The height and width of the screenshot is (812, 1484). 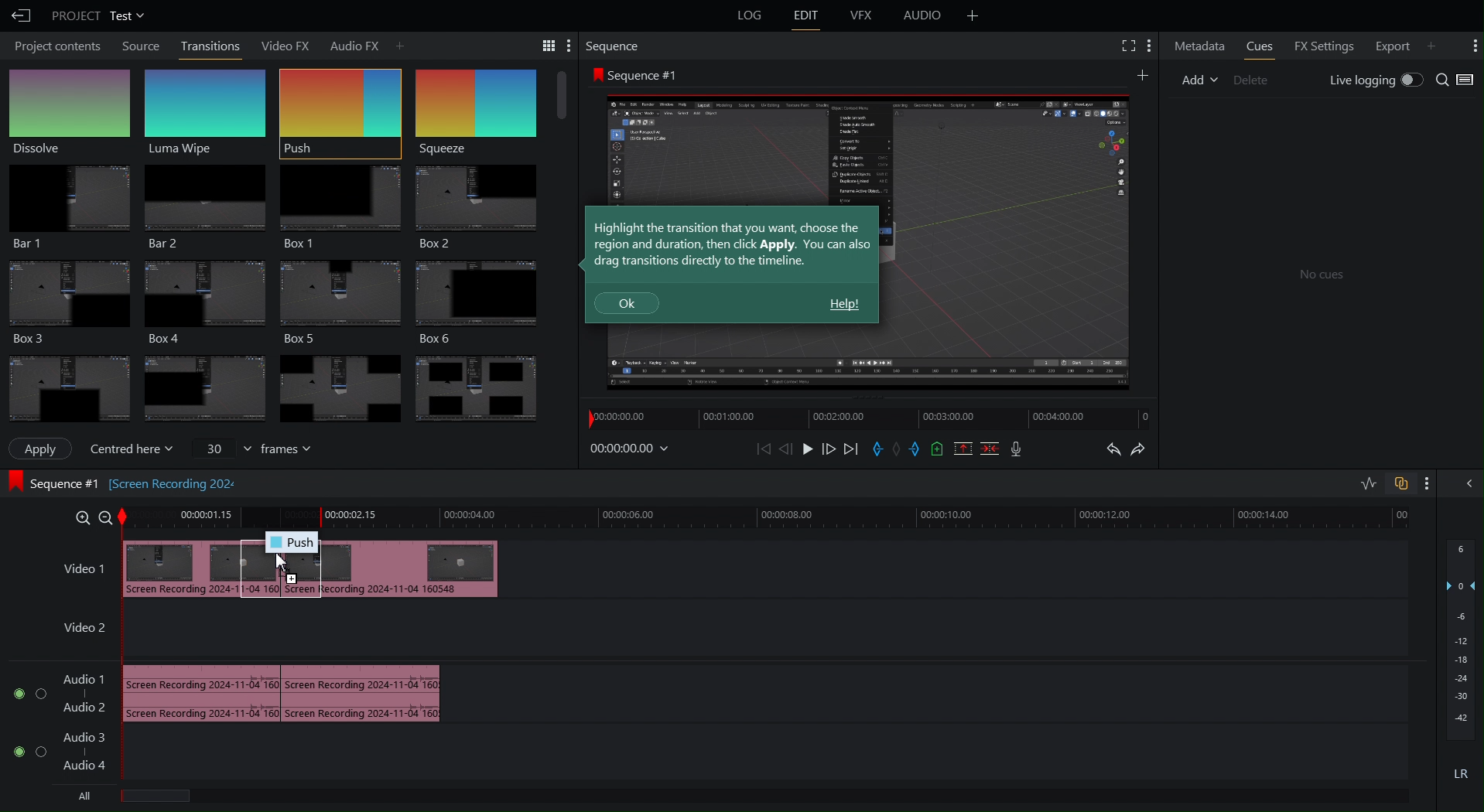 I want to click on [Screen recording 202], so click(x=169, y=481).